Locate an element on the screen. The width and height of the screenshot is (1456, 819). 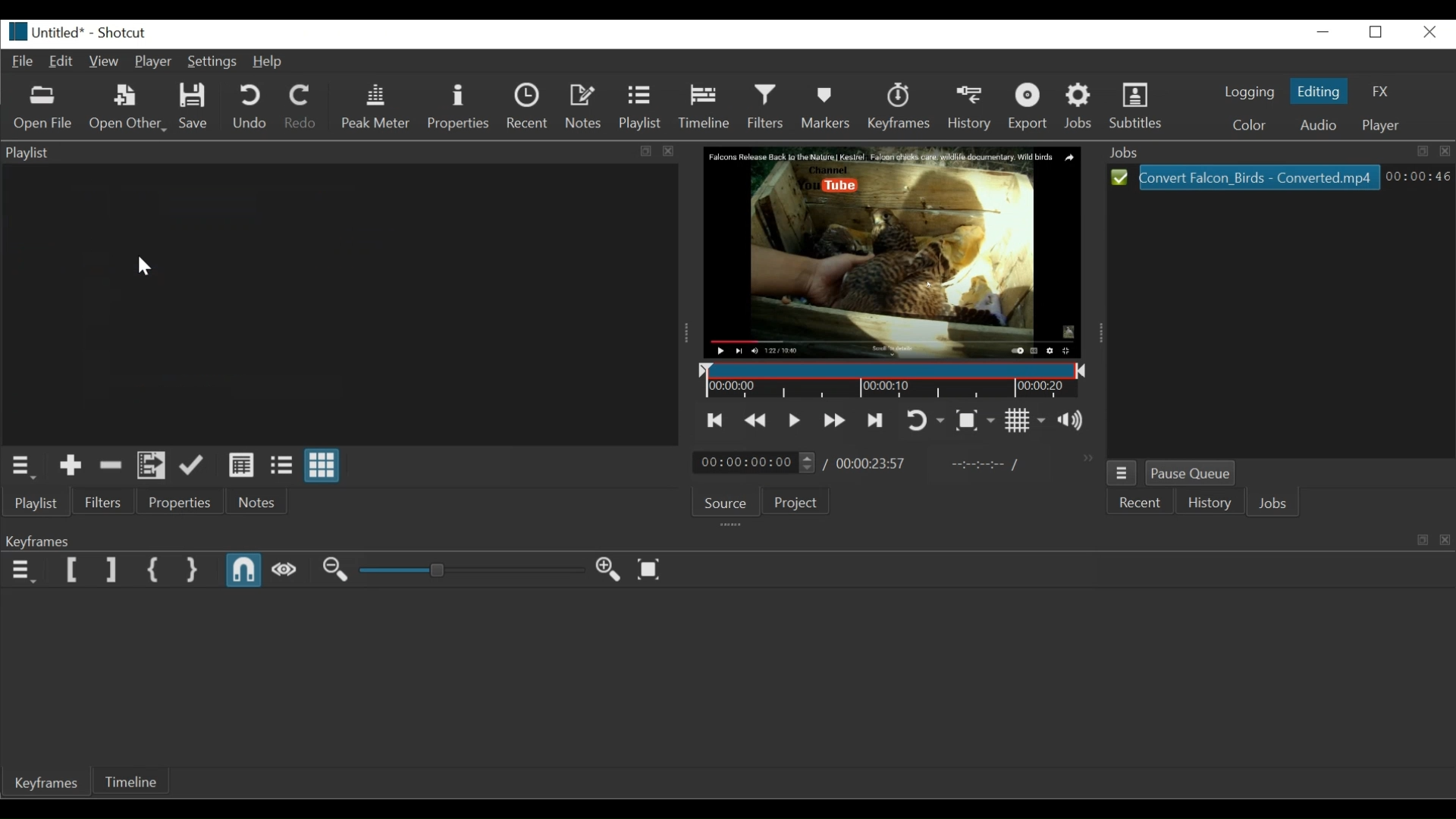
Toggle player looping is located at coordinates (925, 420).